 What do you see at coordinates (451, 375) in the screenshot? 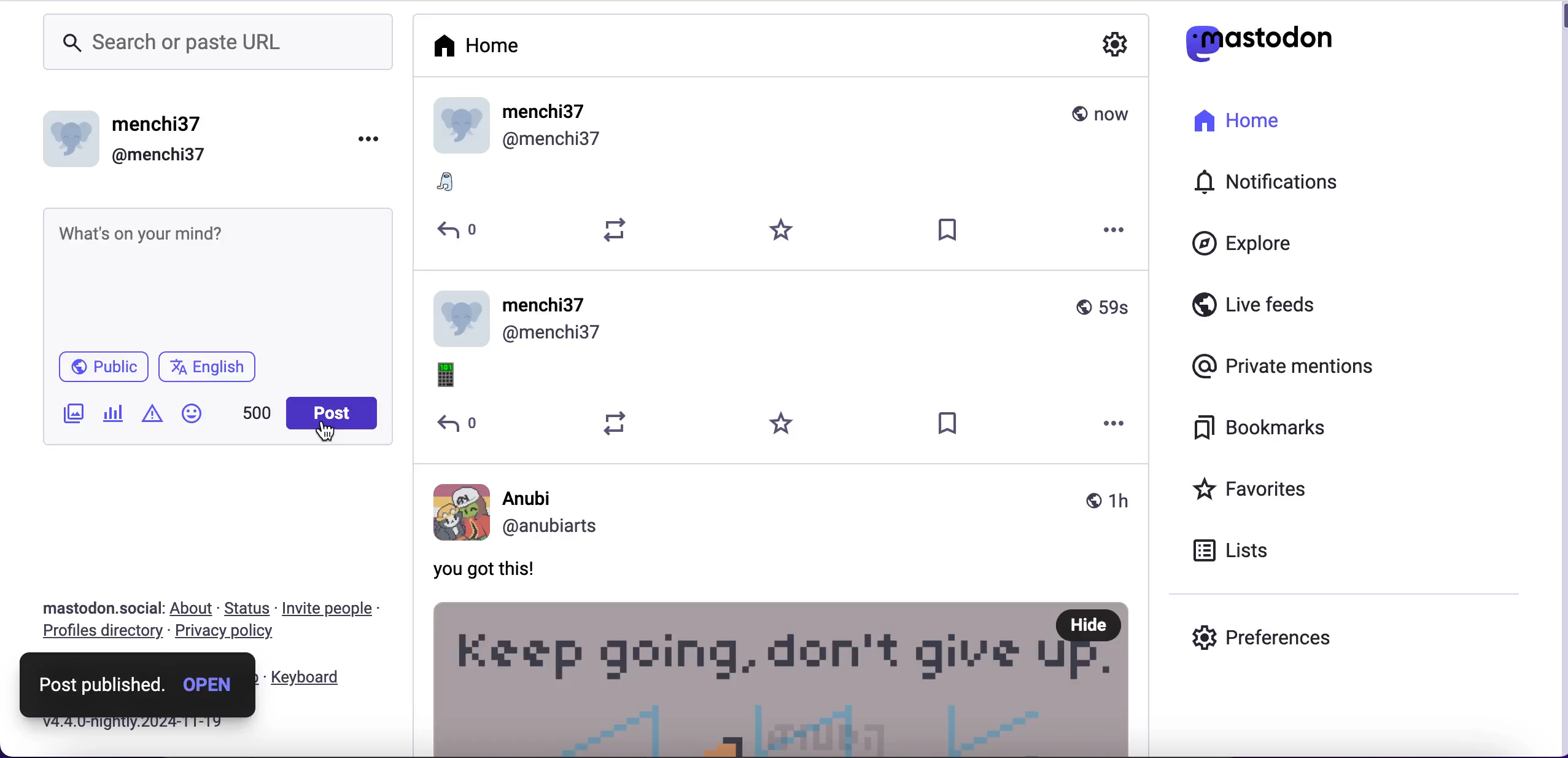
I see `emoji` at bounding box center [451, 375].